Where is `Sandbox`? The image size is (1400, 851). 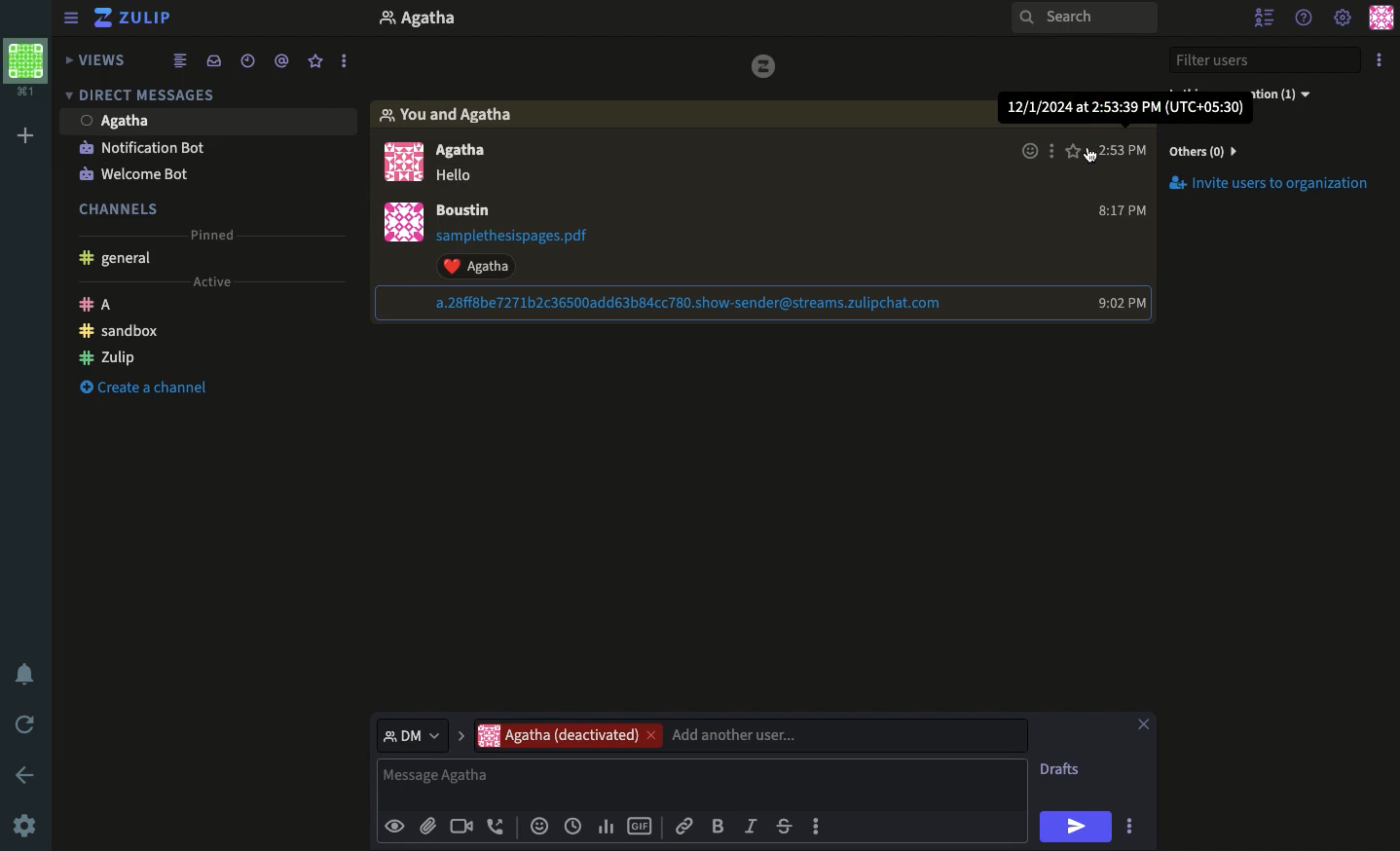 Sandbox is located at coordinates (122, 333).